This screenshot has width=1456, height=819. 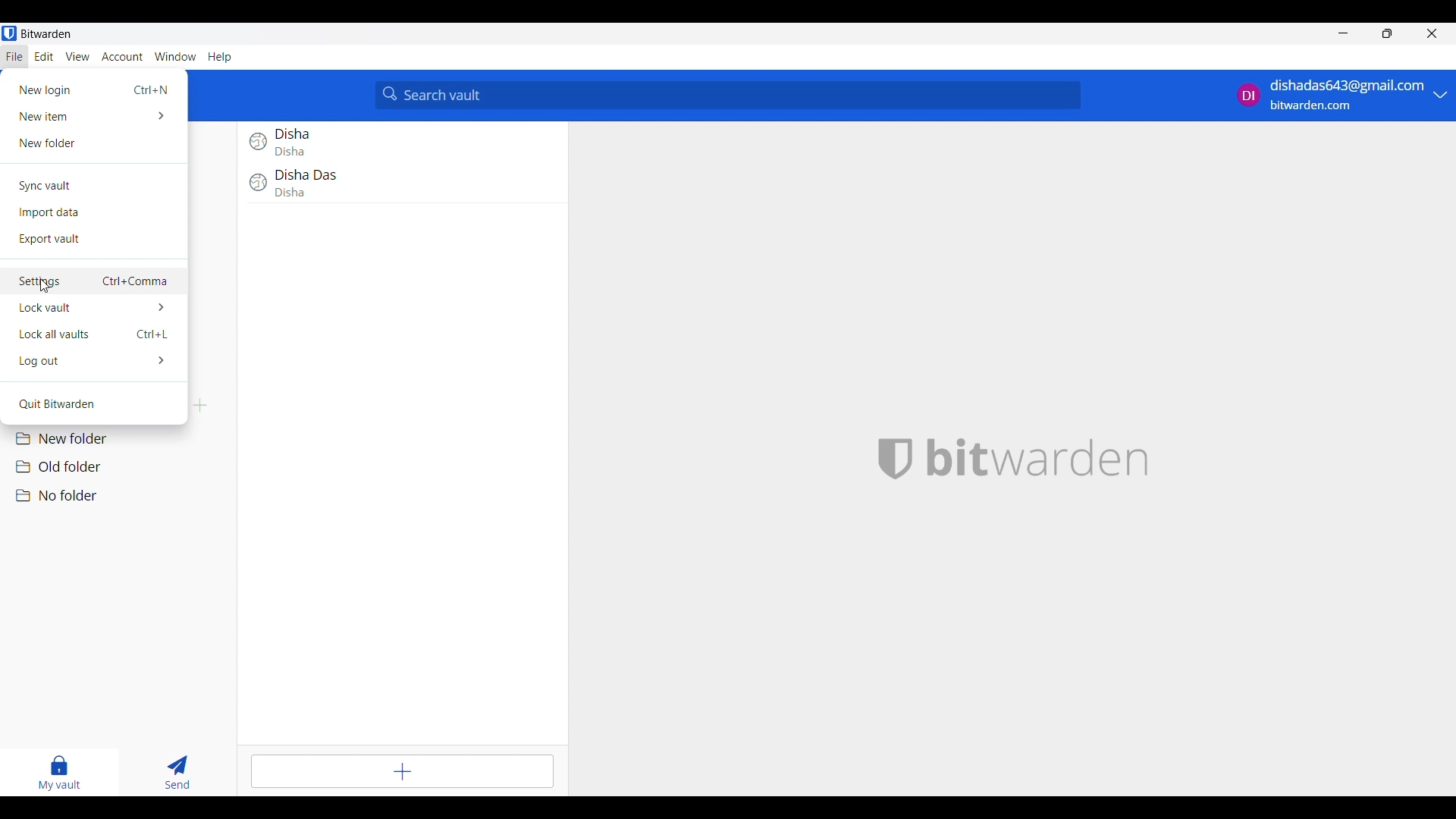 I want to click on bitwarden logo, so click(x=891, y=460).